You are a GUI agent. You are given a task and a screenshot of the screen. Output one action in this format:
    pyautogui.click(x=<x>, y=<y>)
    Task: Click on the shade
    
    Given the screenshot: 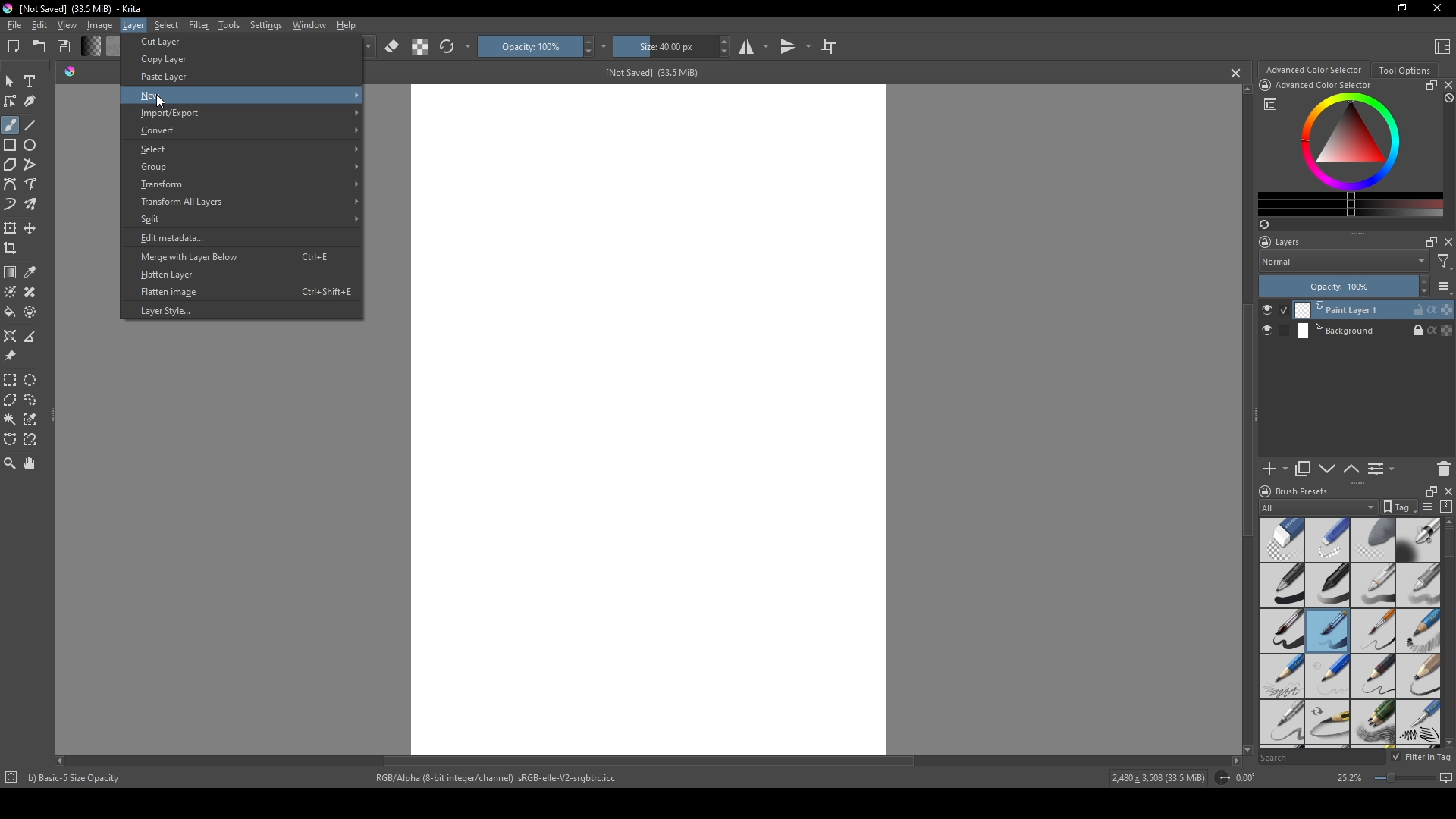 What is the action you would take?
    pyautogui.click(x=70, y=71)
    